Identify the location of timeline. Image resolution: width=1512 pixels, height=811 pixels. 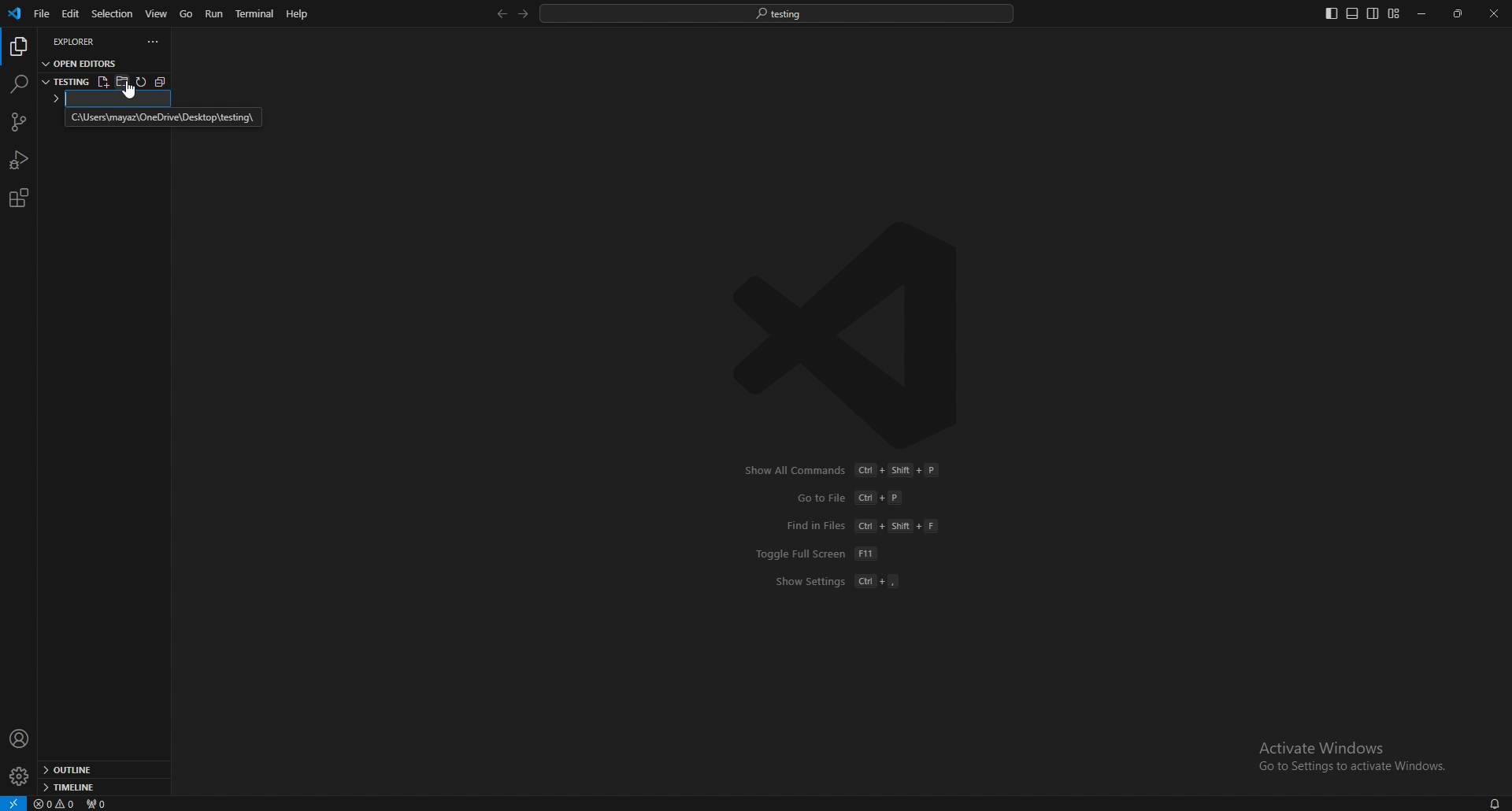
(99, 787).